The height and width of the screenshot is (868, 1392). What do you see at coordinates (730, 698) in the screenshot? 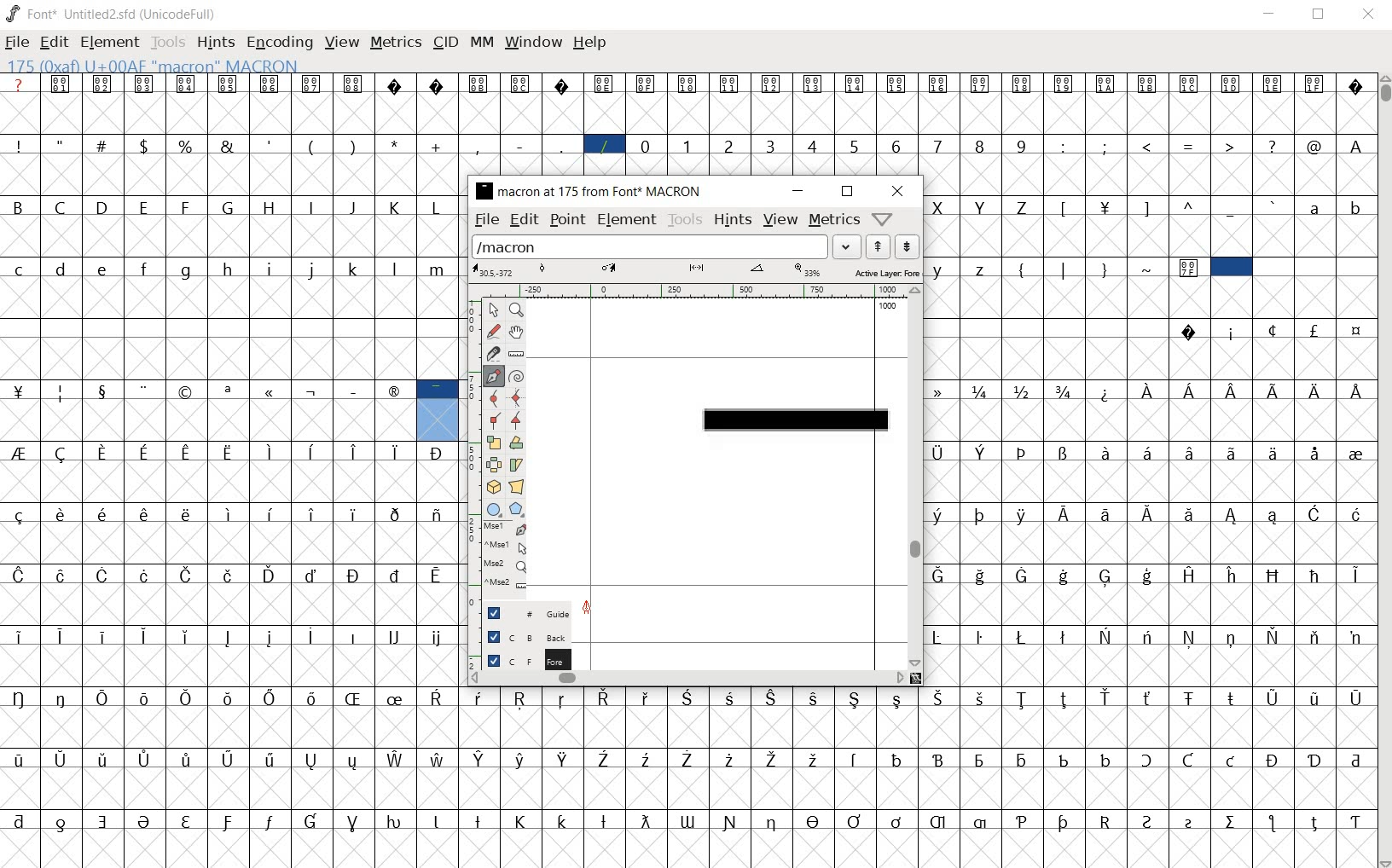
I see `Symbol` at bounding box center [730, 698].